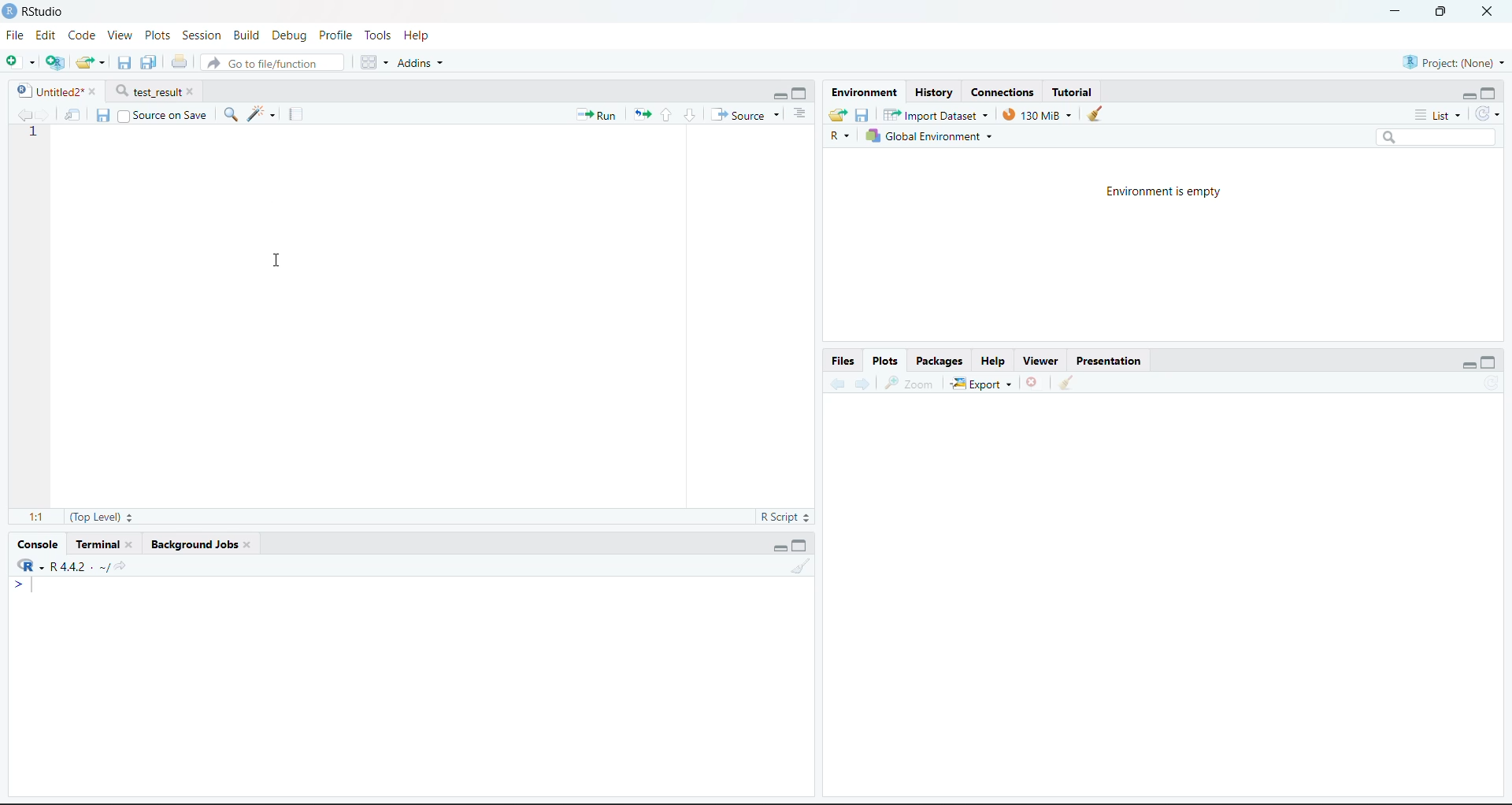  I want to click on Maximize, so click(1490, 91).